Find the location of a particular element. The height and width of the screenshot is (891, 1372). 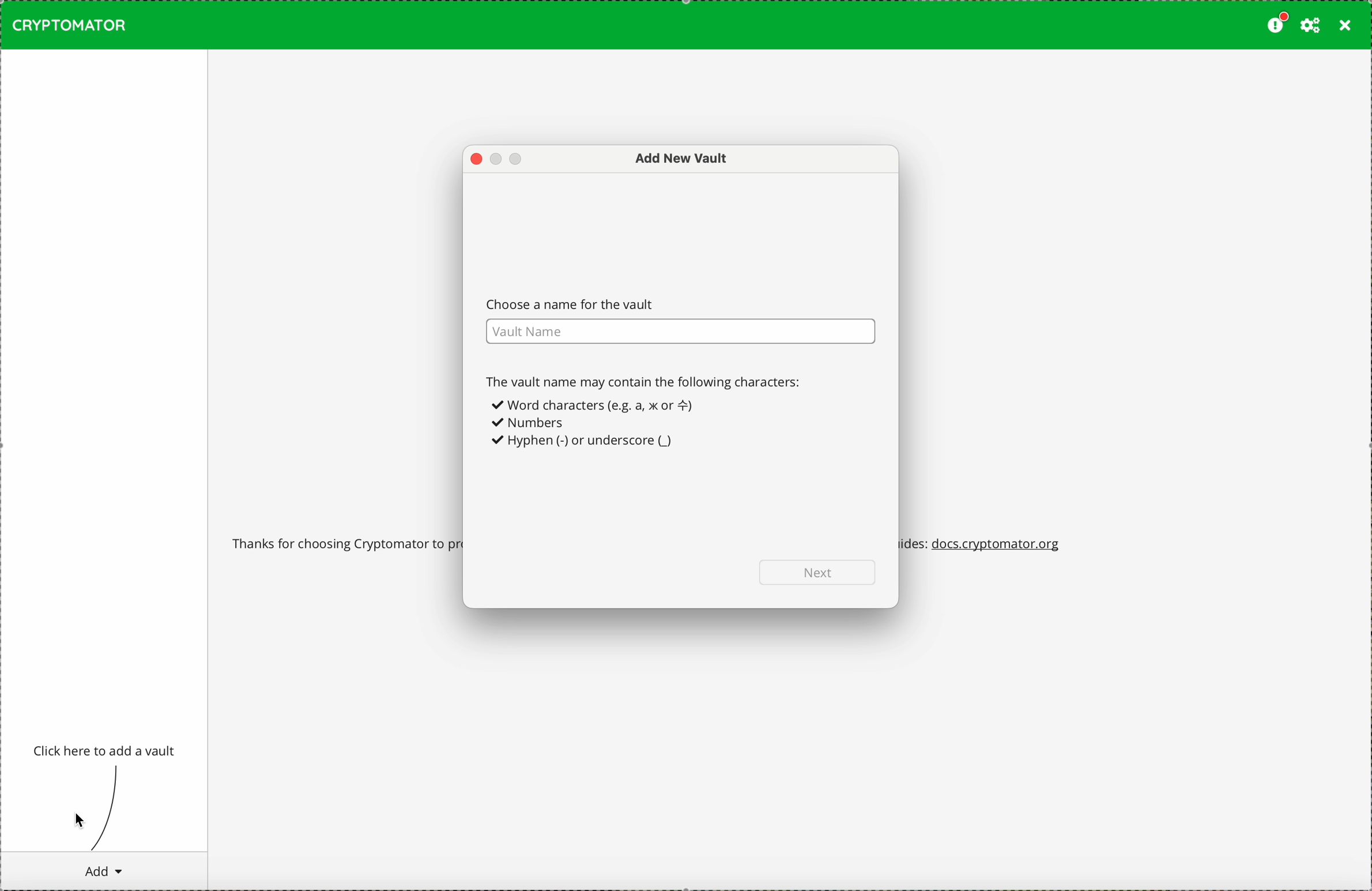

choose a name for vault is located at coordinates (679, 320).